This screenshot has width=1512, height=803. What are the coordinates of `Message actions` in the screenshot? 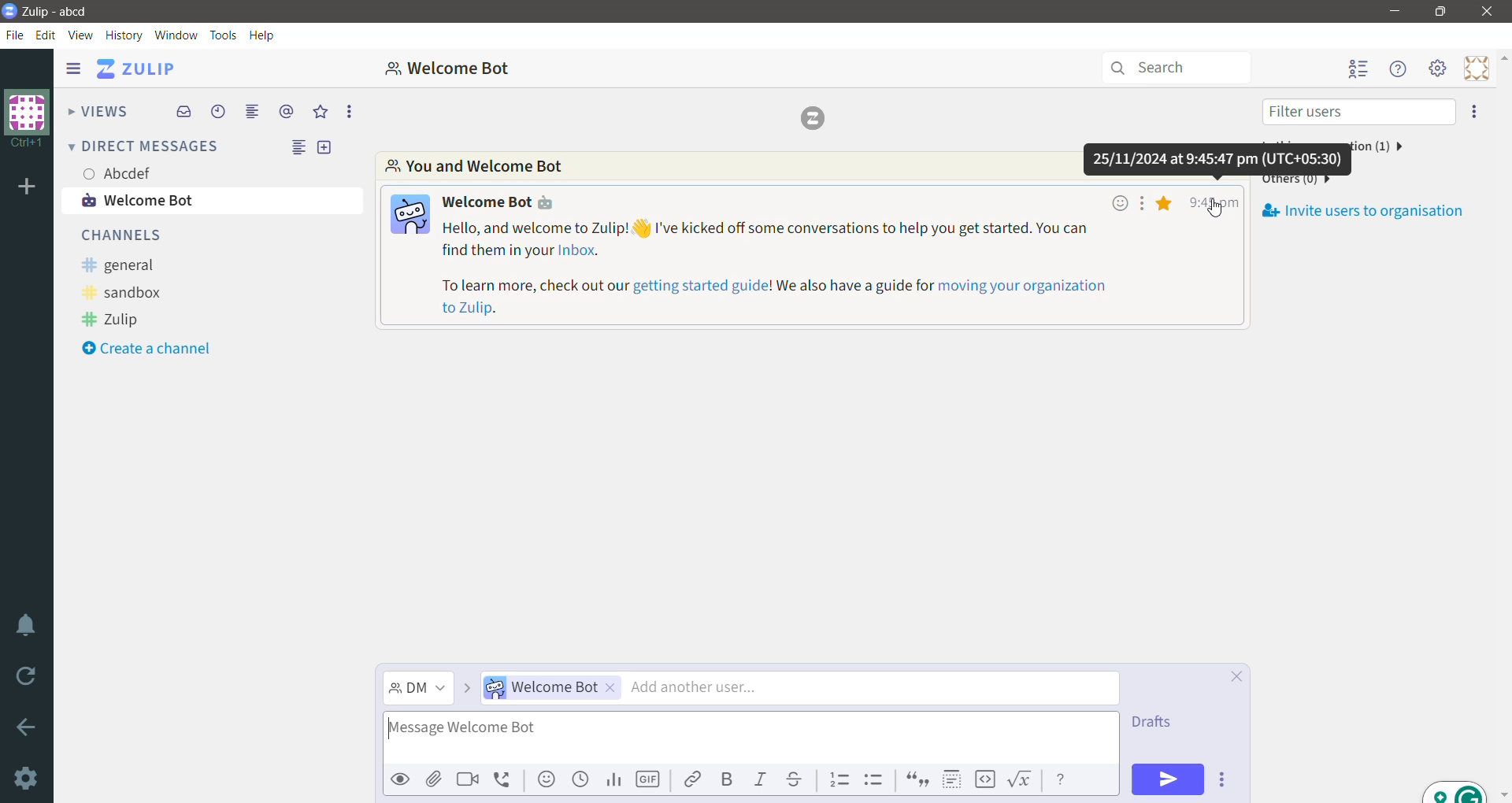 It's located at (1143, 202).